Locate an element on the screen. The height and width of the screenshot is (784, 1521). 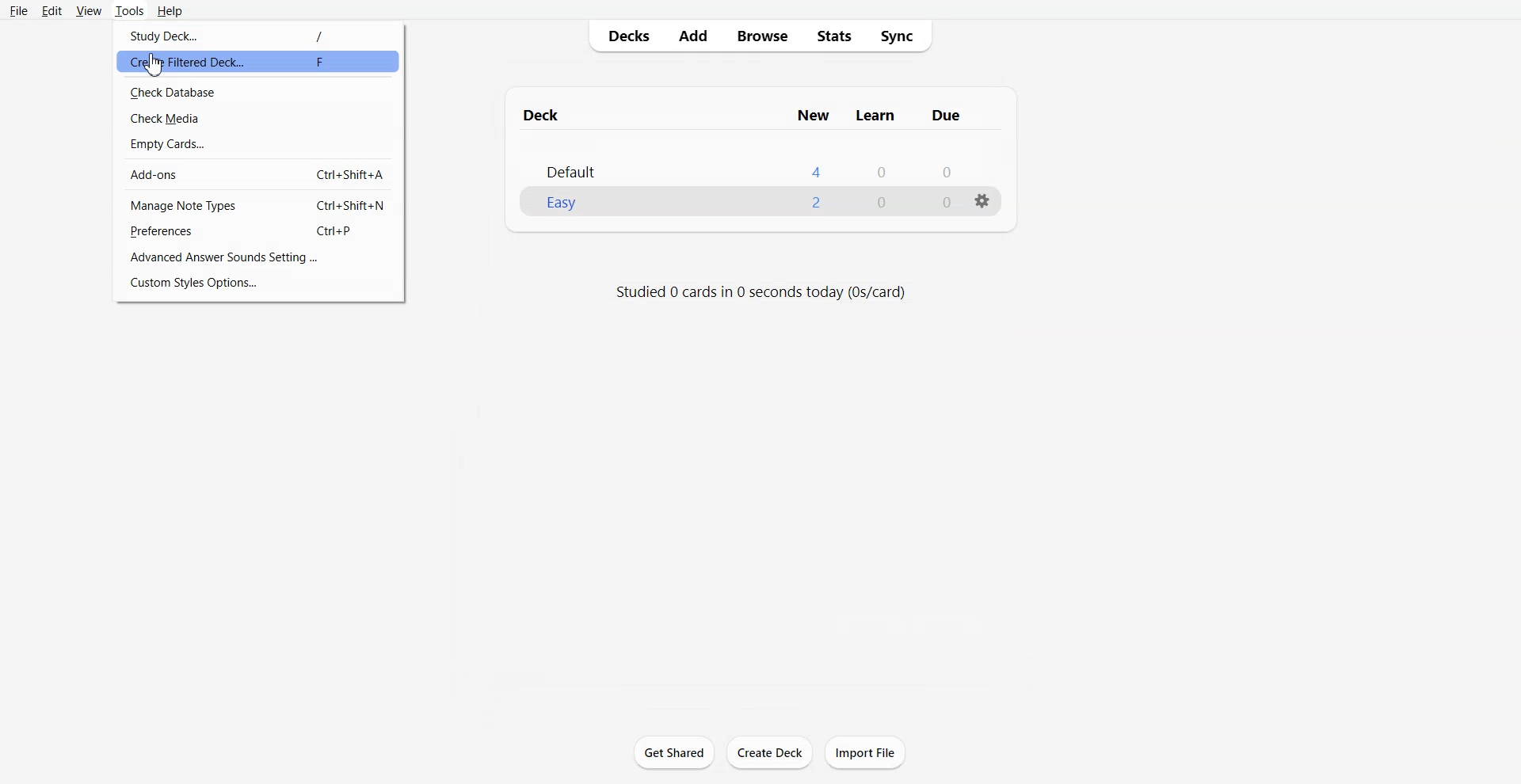
Get Shared is located at coordinates (674, 752).